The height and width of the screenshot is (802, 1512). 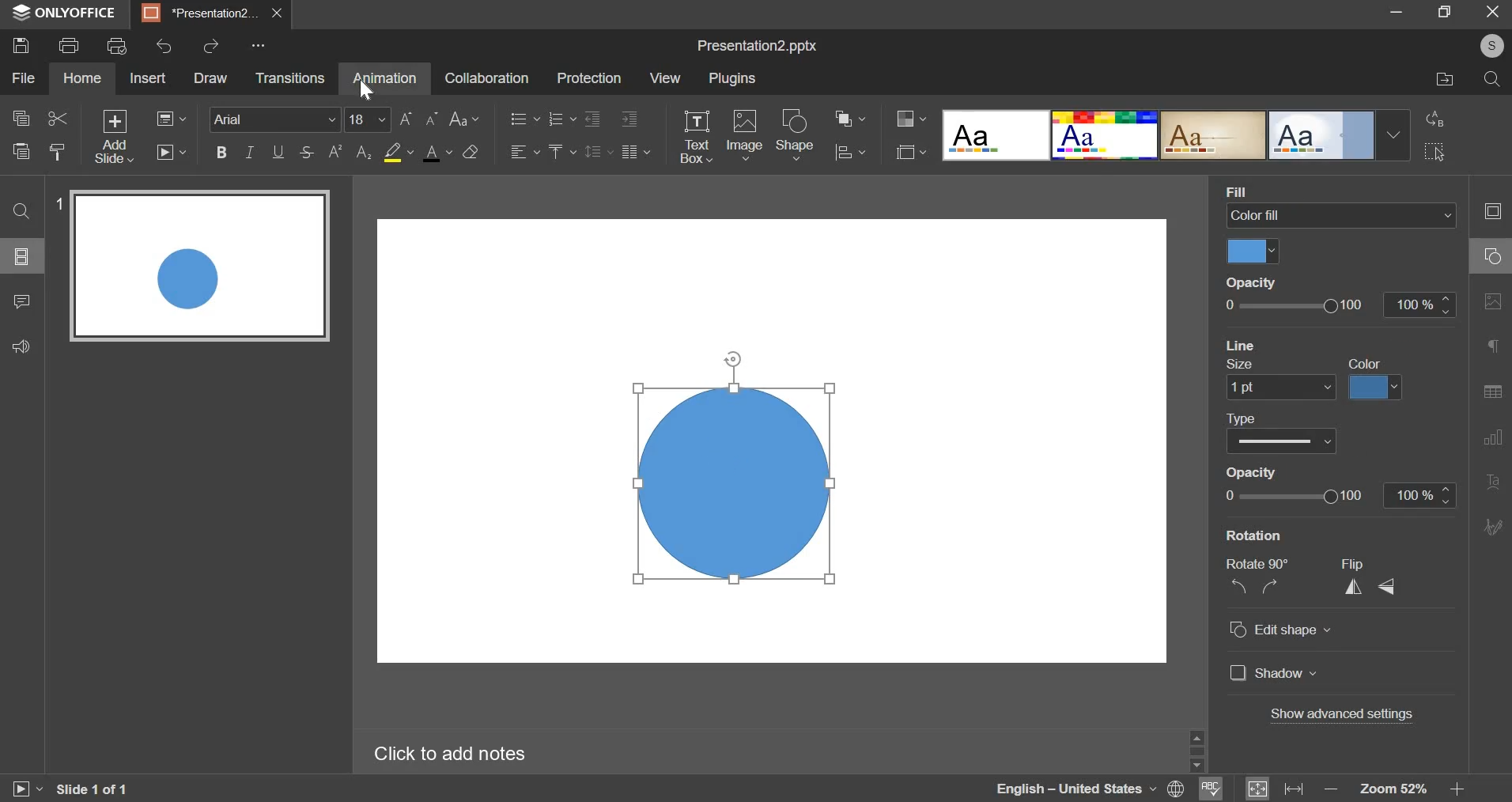 I want to click on font, so click(x=274, y=119).